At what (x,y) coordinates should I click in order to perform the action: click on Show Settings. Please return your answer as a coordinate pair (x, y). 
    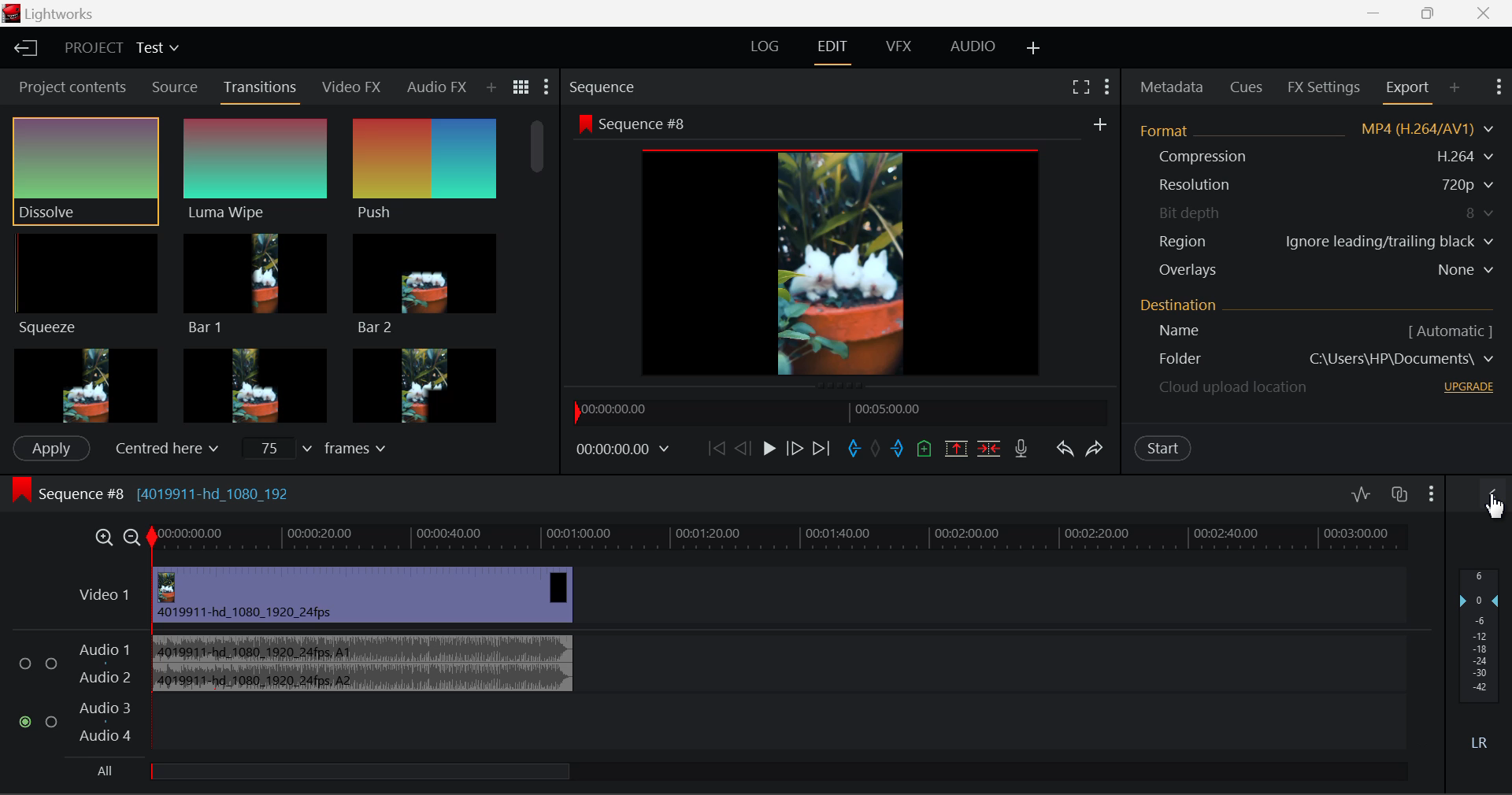
    Looking at the image, I should click on (1431, 495).